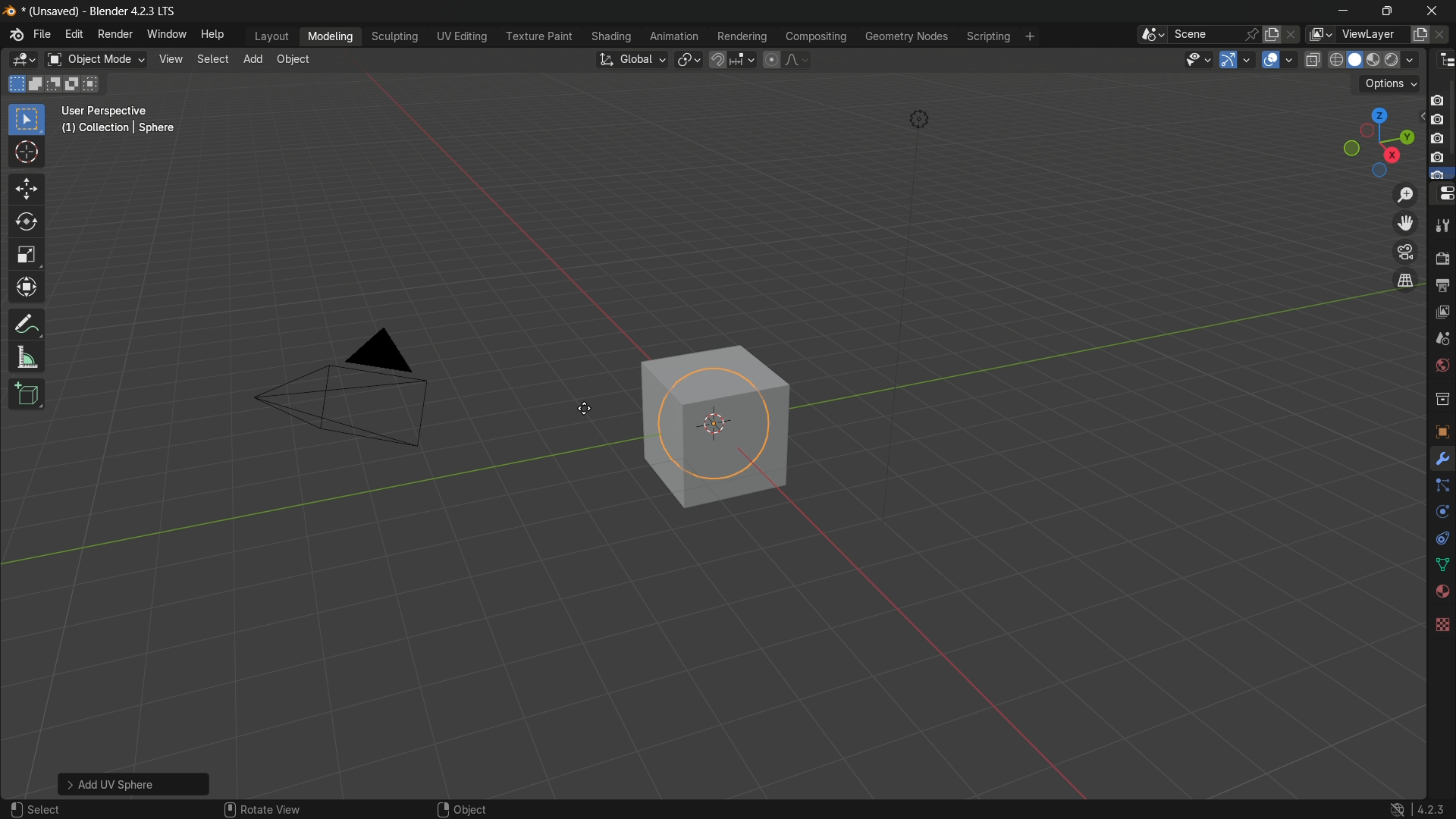 This screenshot has height=819, width=1456. I want to click on browse views, so click(1321, 36).